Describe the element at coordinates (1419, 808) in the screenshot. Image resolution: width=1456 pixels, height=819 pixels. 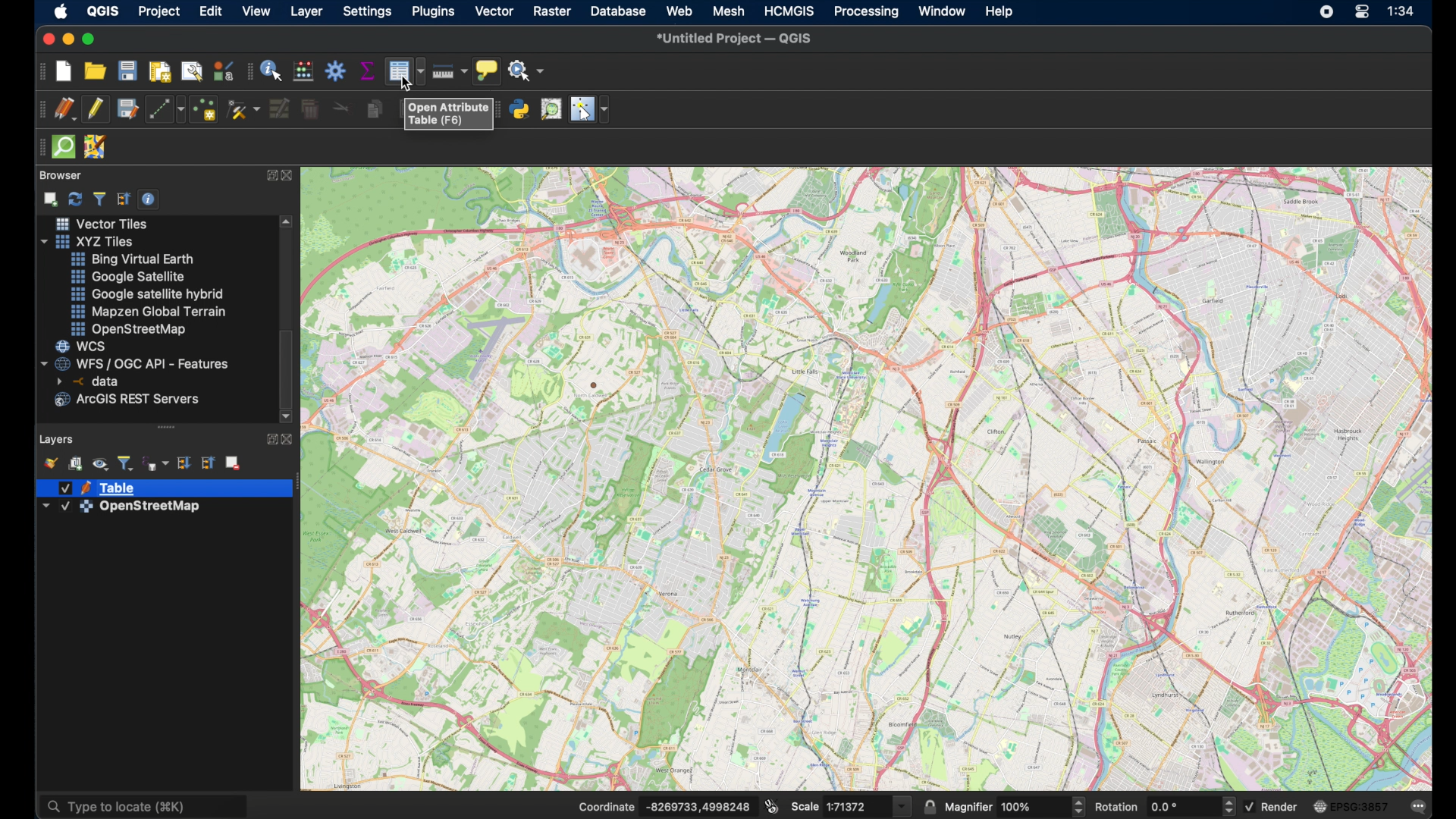
I see `messages` at that location.